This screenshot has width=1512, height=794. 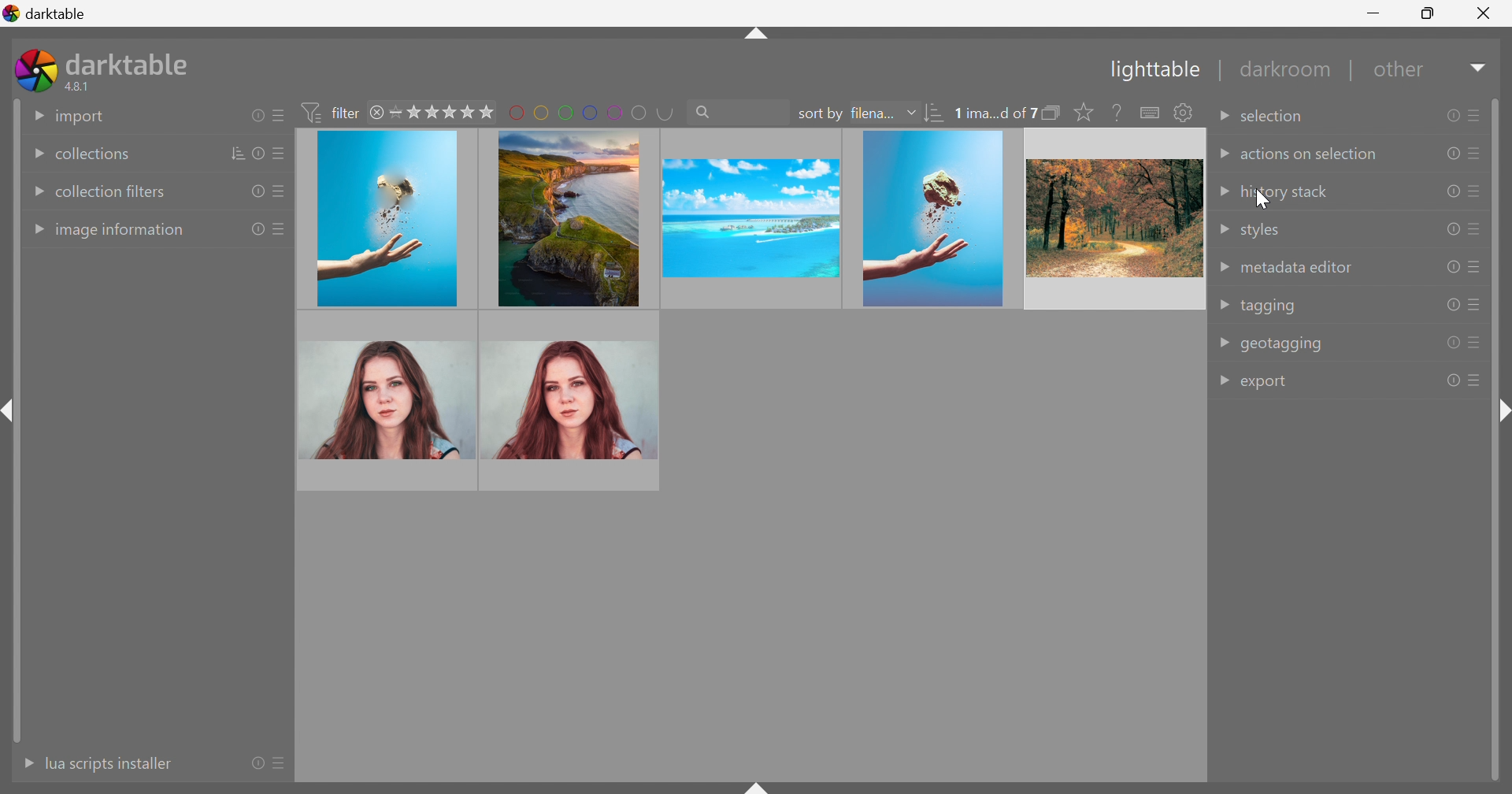 What do you see at coordinates (1480, 67) in the screenshot?
I see `Drop Down` at bounding box center [1480, 67].